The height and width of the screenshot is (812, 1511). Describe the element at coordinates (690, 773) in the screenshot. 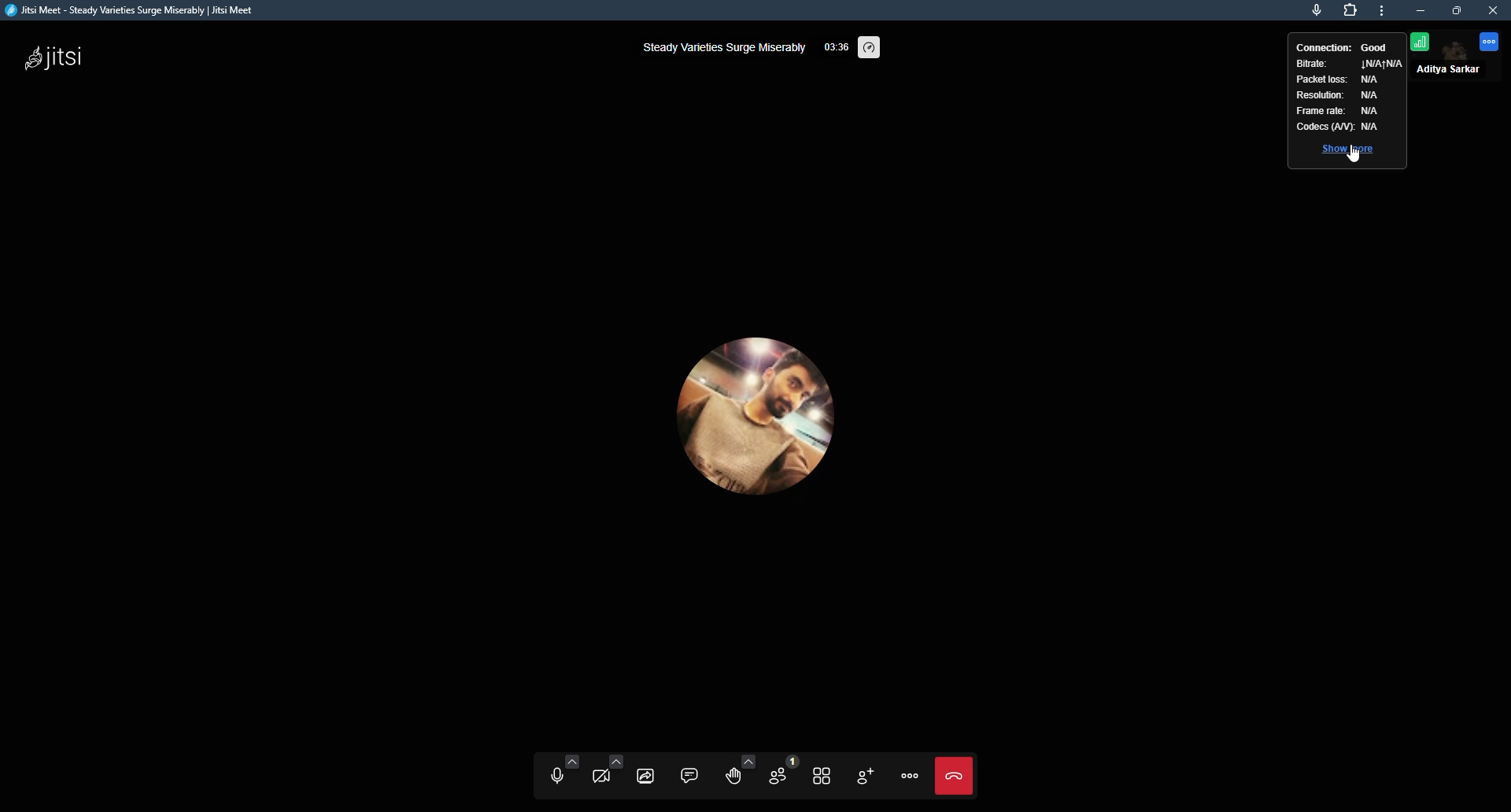

I see `open chat` at that location.